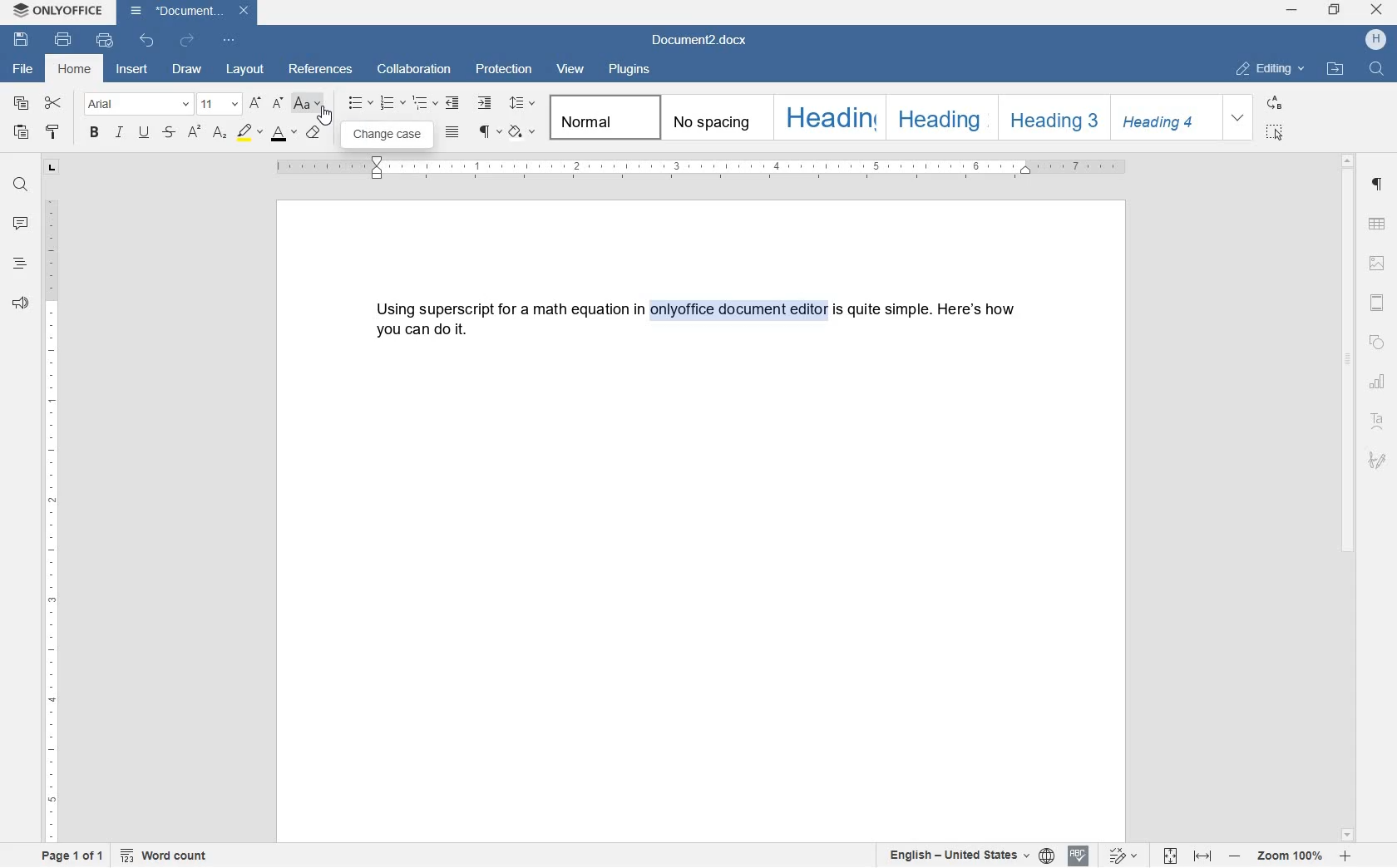  What do you see at coordinates (138, 104) in the screenshot?
I see `font name` at bounding box center [138, 104].